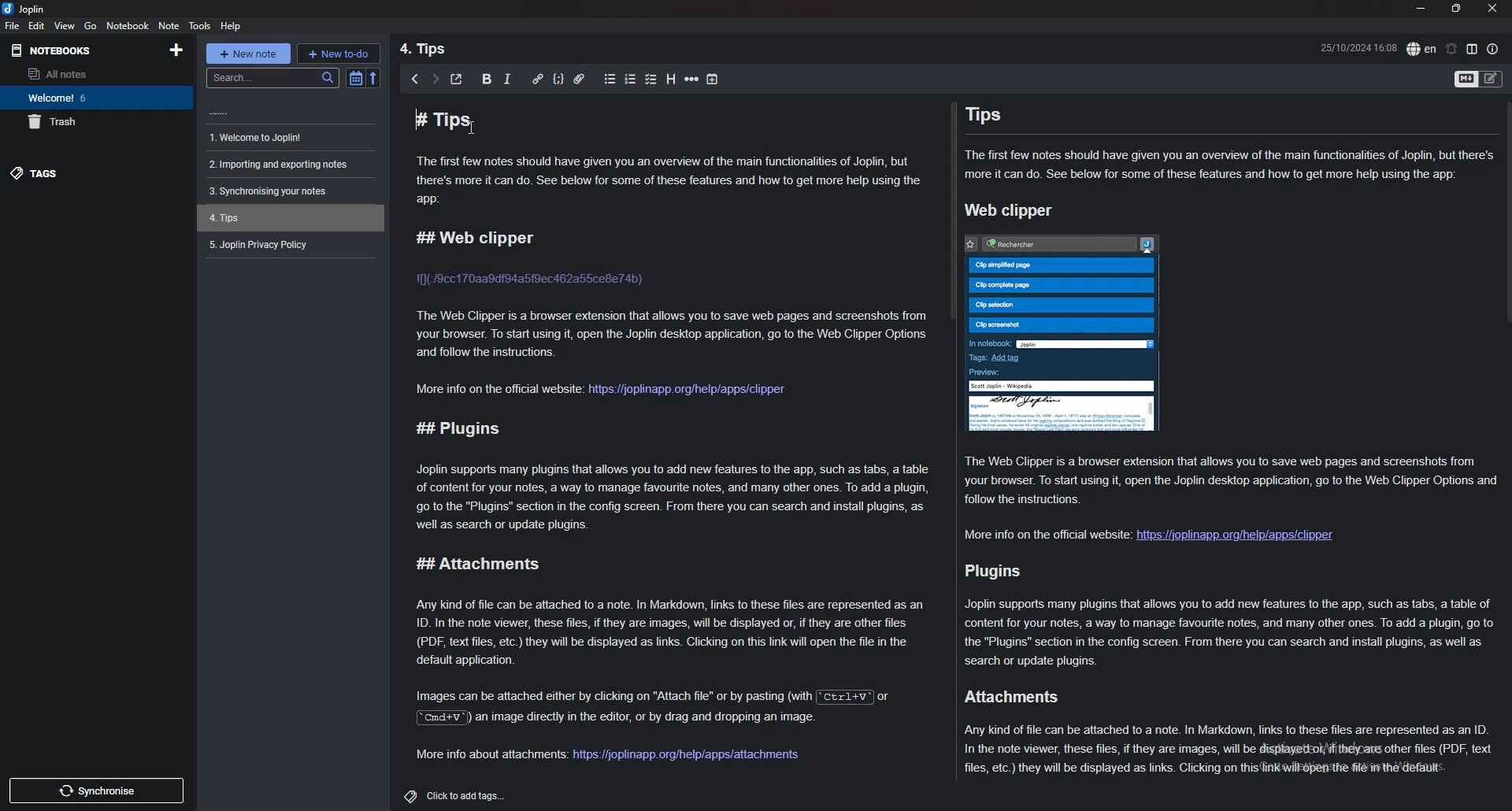 This screenshot has height=811, width=1512. What do you see at coordinates (485, 80) in the screenshot?
I see `bold` at bounding box center [485, 80].